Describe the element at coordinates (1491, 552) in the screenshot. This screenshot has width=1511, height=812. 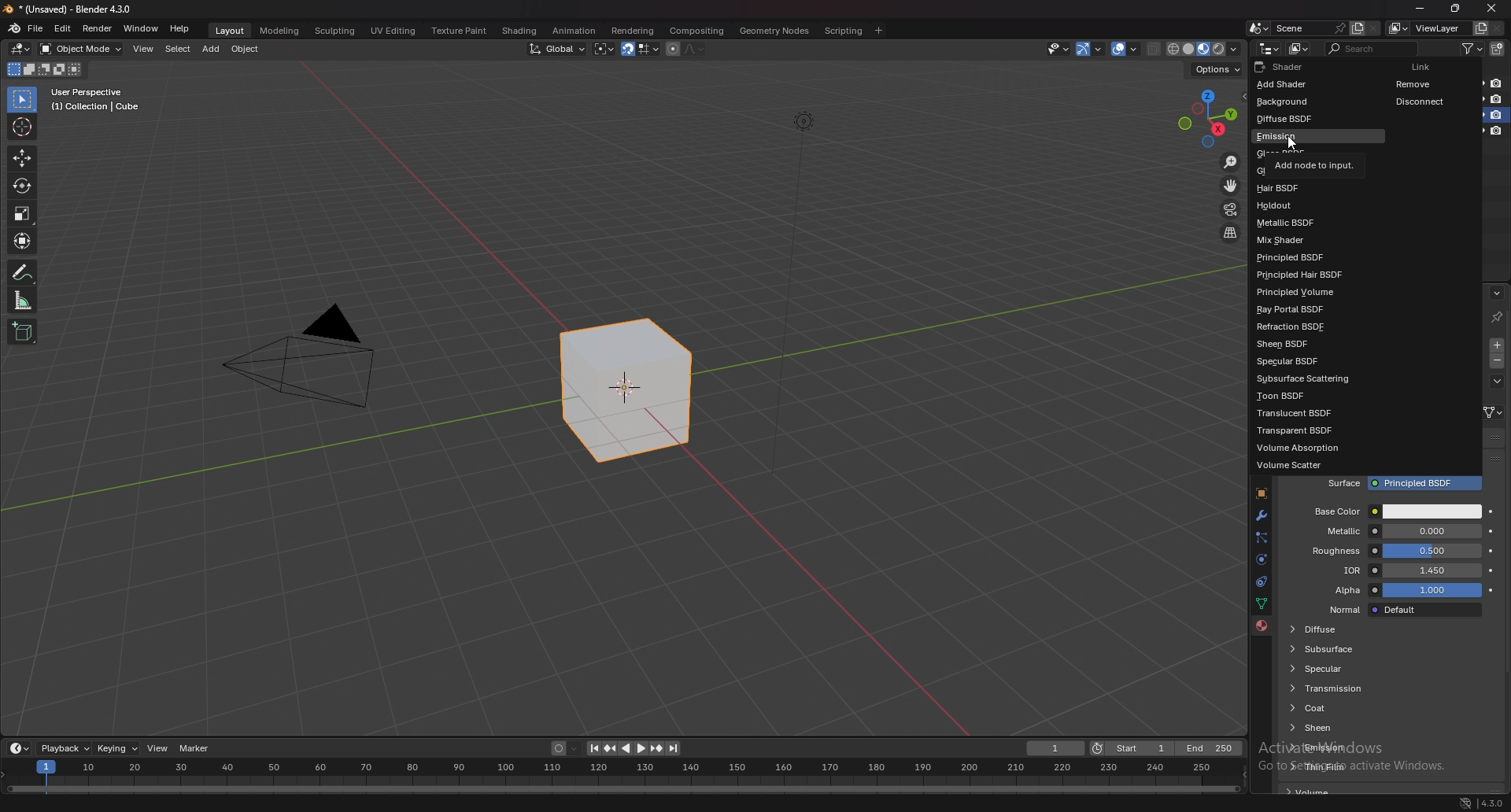
I see `animate property` at that location.